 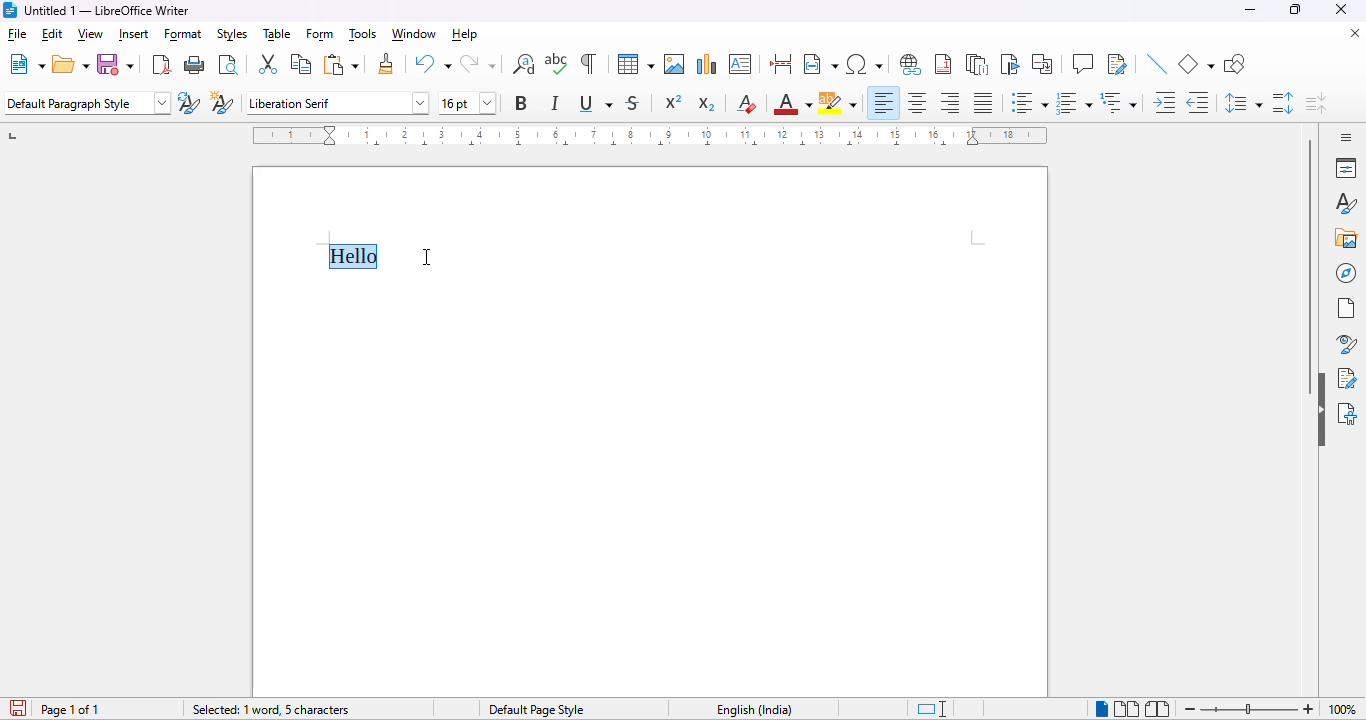 I want to click on cut, so click(x=269, y=65).